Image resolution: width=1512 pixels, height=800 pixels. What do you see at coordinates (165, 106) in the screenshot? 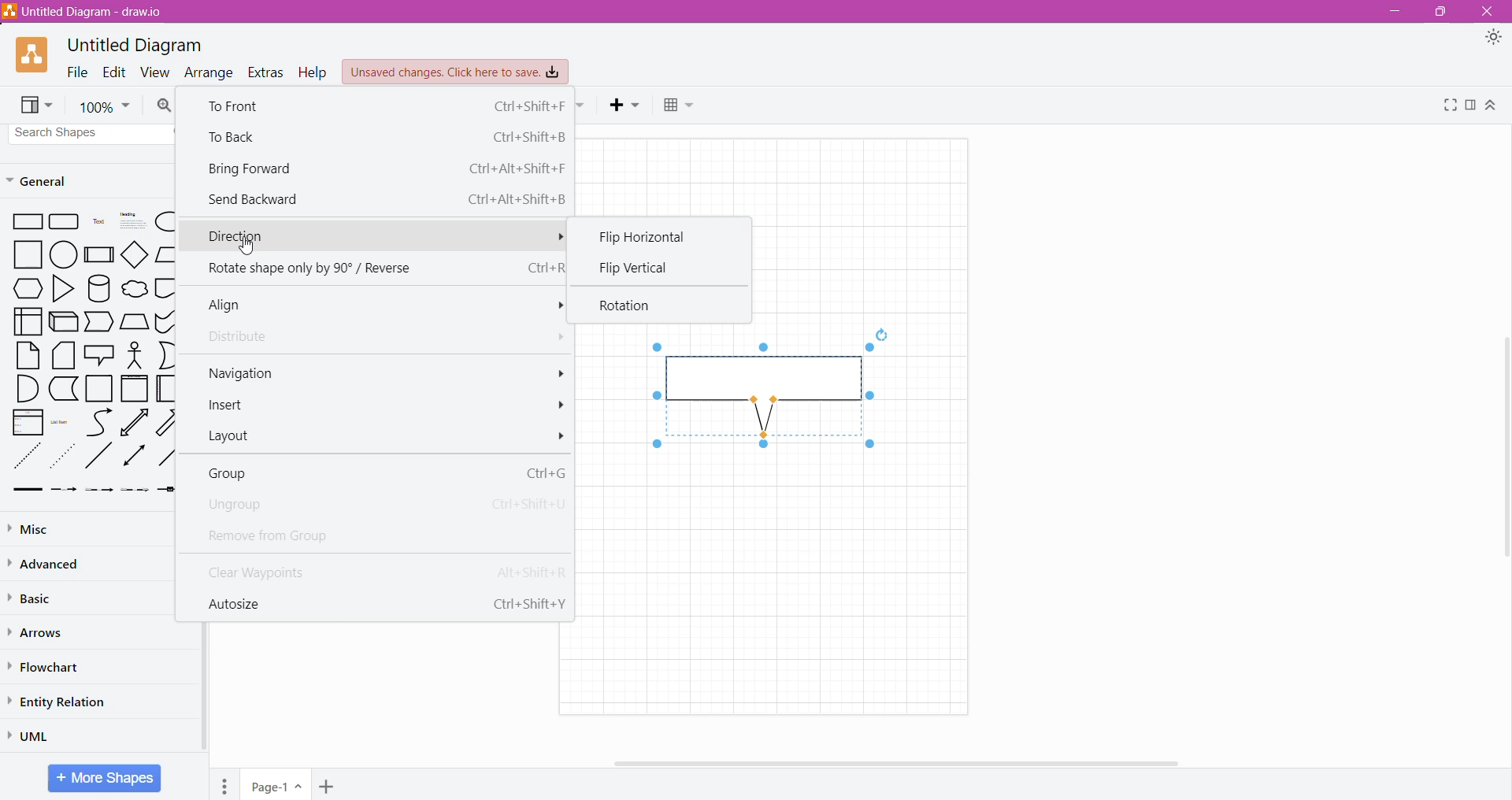
I see `zoom in` at bounding box center [165, 106].